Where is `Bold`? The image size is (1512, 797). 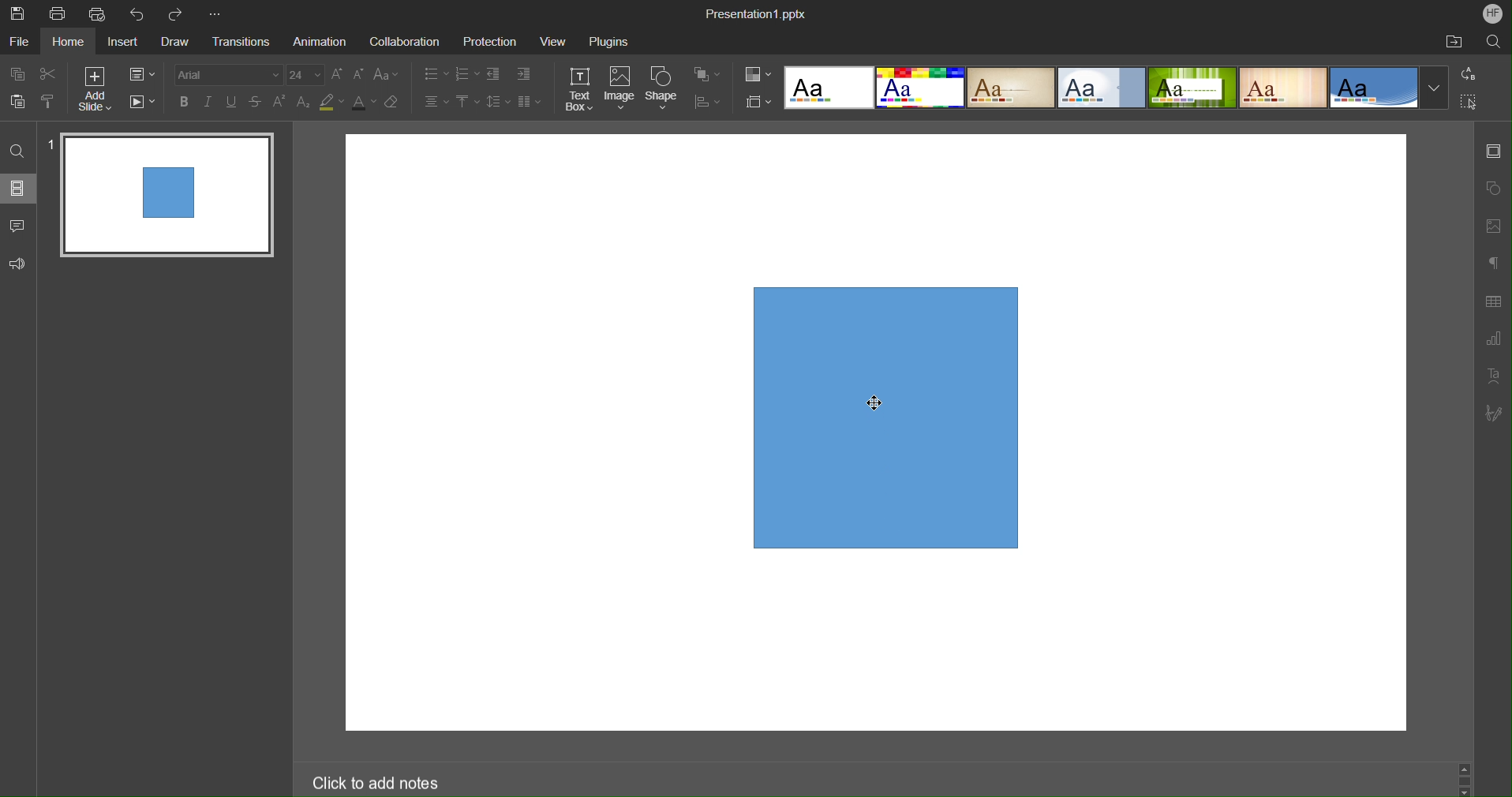 Bold is located at coordinates (187, 102).